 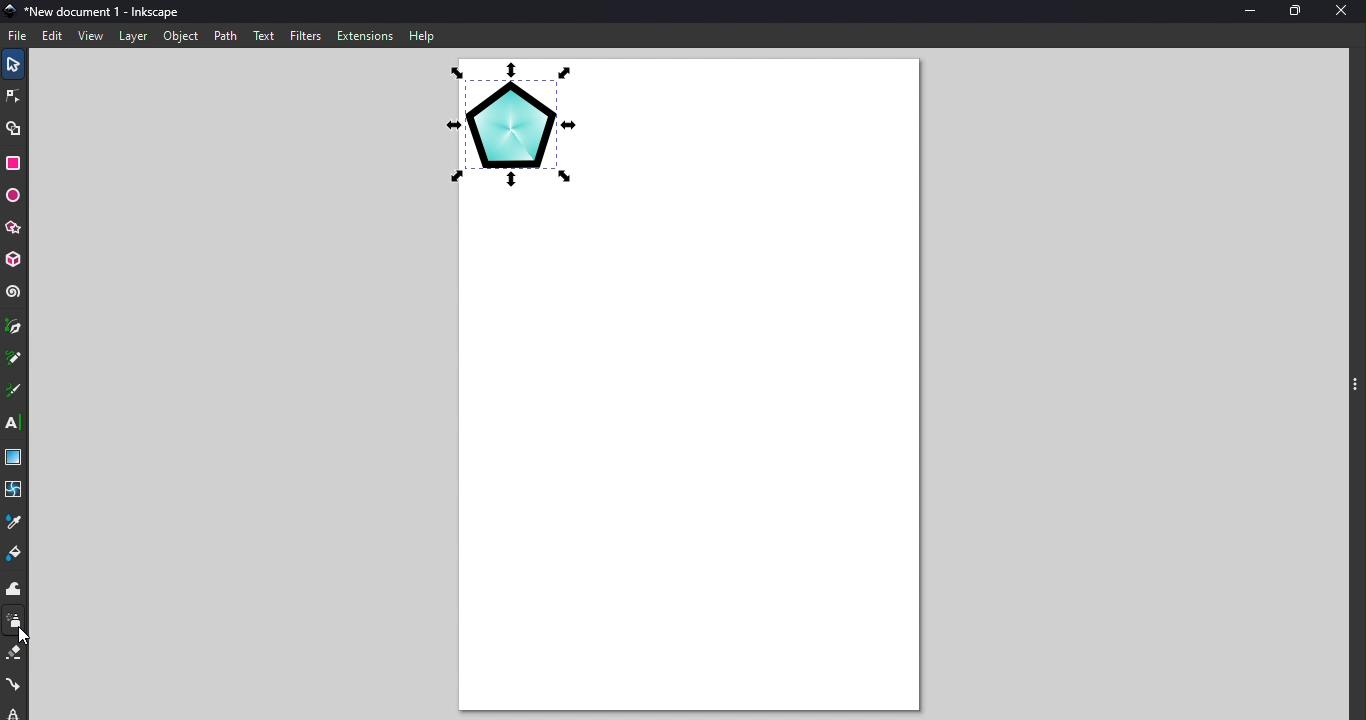 What do you see at coordinates (688, 388) in the screenshot?
I see `Canvas` at bounding box center [688, 388].